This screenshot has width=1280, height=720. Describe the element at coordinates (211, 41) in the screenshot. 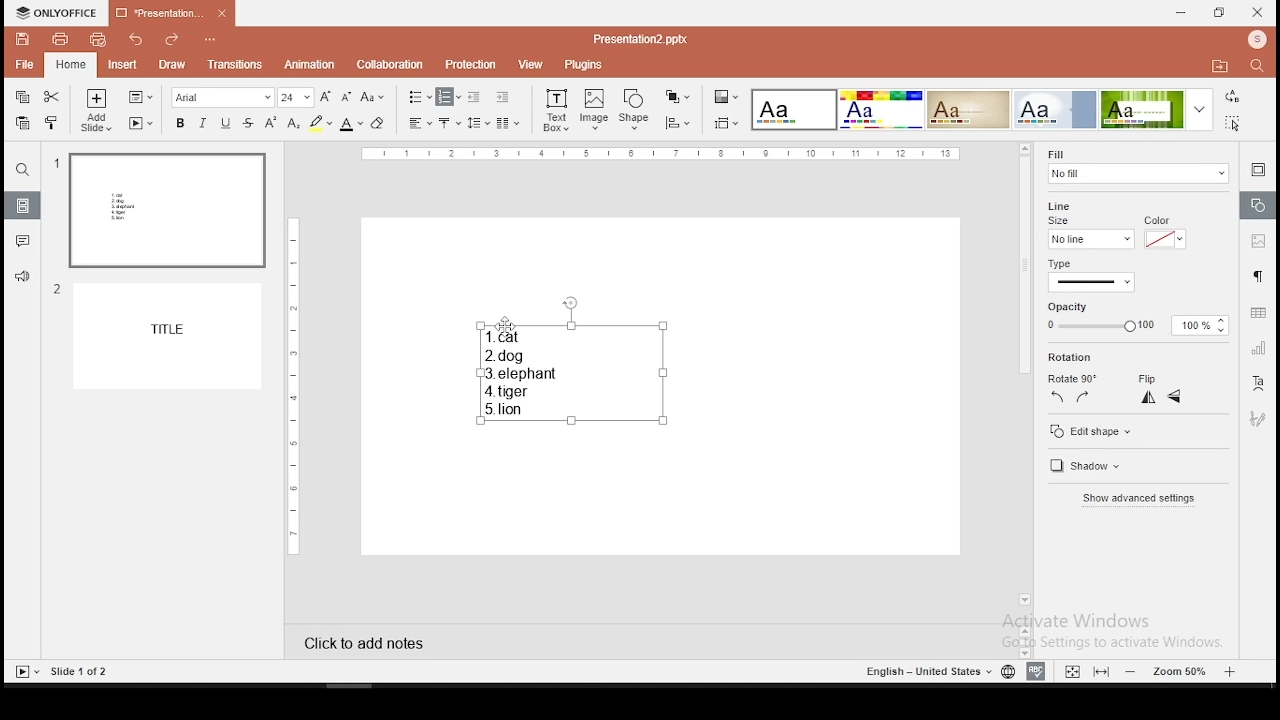

I see `options` at that location.